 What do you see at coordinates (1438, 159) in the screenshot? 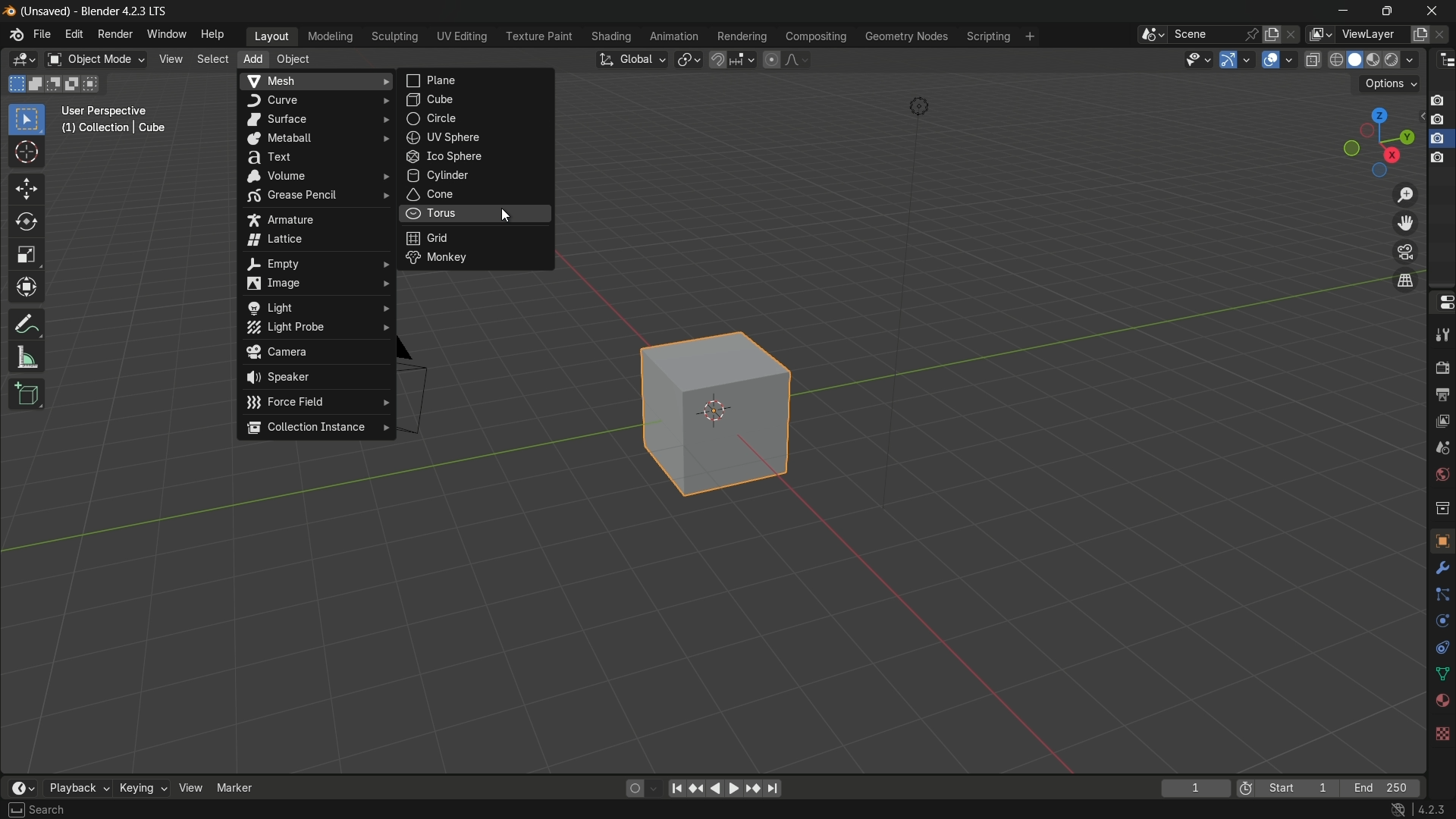
I see `layer 4` at bounding box center [1438, 159].